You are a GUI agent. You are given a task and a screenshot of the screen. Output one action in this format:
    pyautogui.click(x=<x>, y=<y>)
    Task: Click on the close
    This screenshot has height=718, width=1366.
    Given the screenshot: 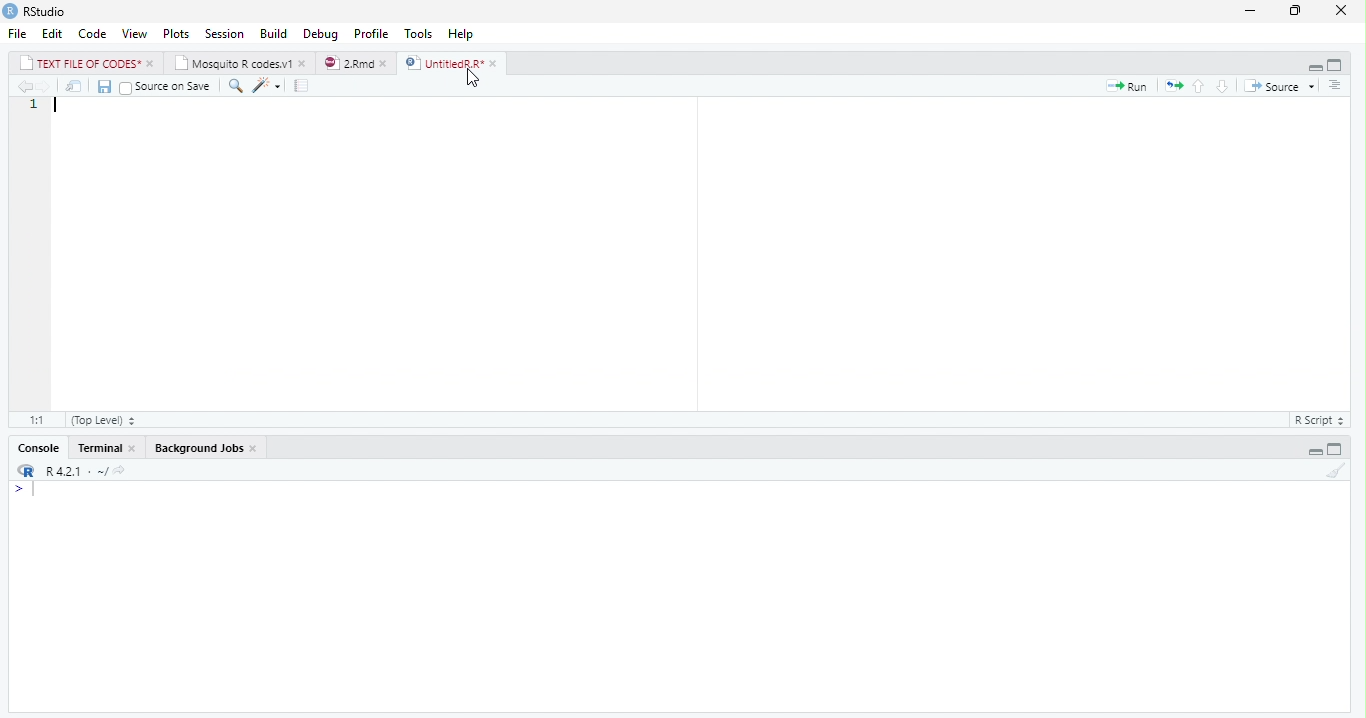 What is the action you would take?
    pyautogui.click(x=388, y=64)
    